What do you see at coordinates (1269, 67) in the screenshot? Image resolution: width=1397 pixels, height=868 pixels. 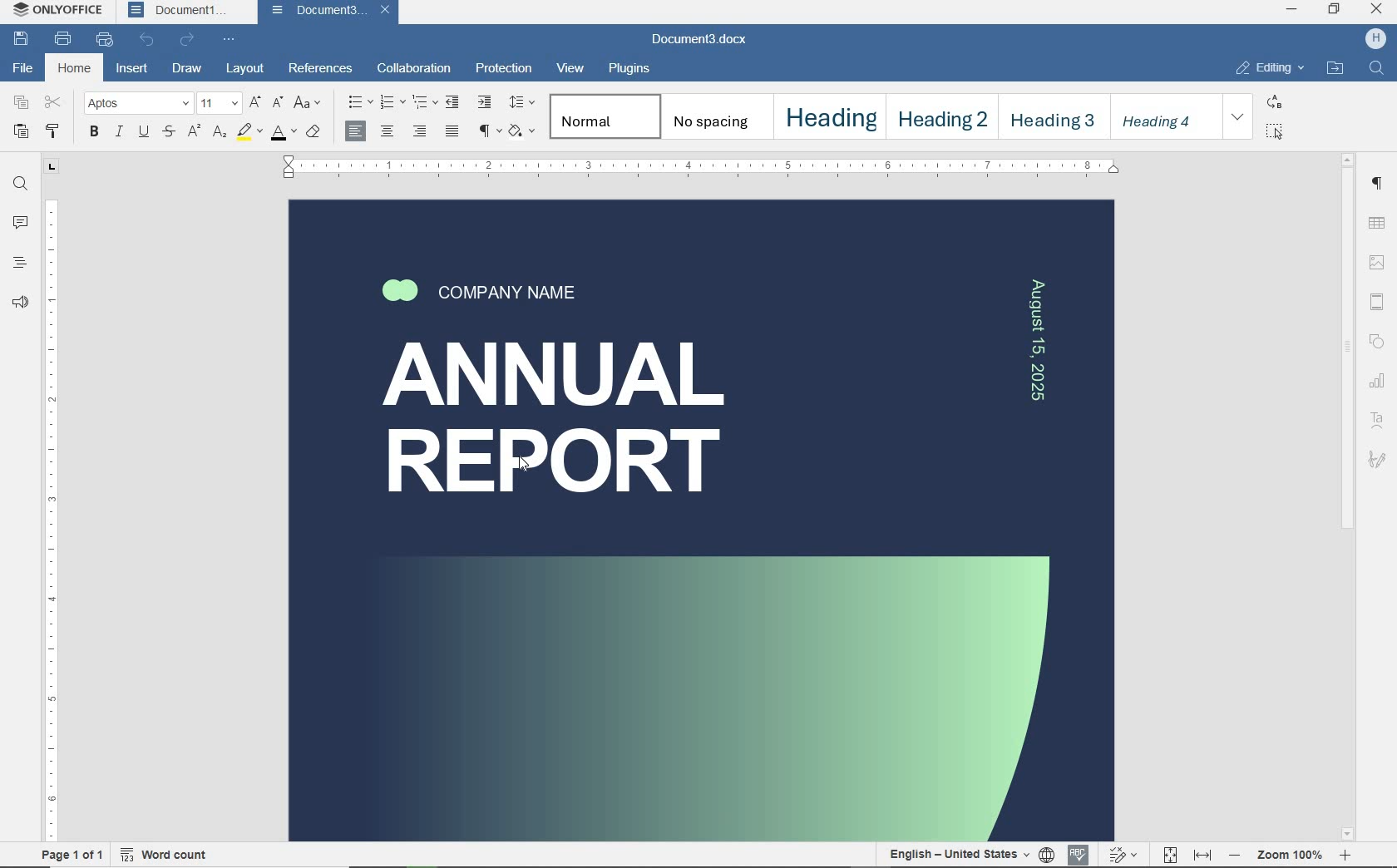 I see `editing` at bounding box center [1269, 67].